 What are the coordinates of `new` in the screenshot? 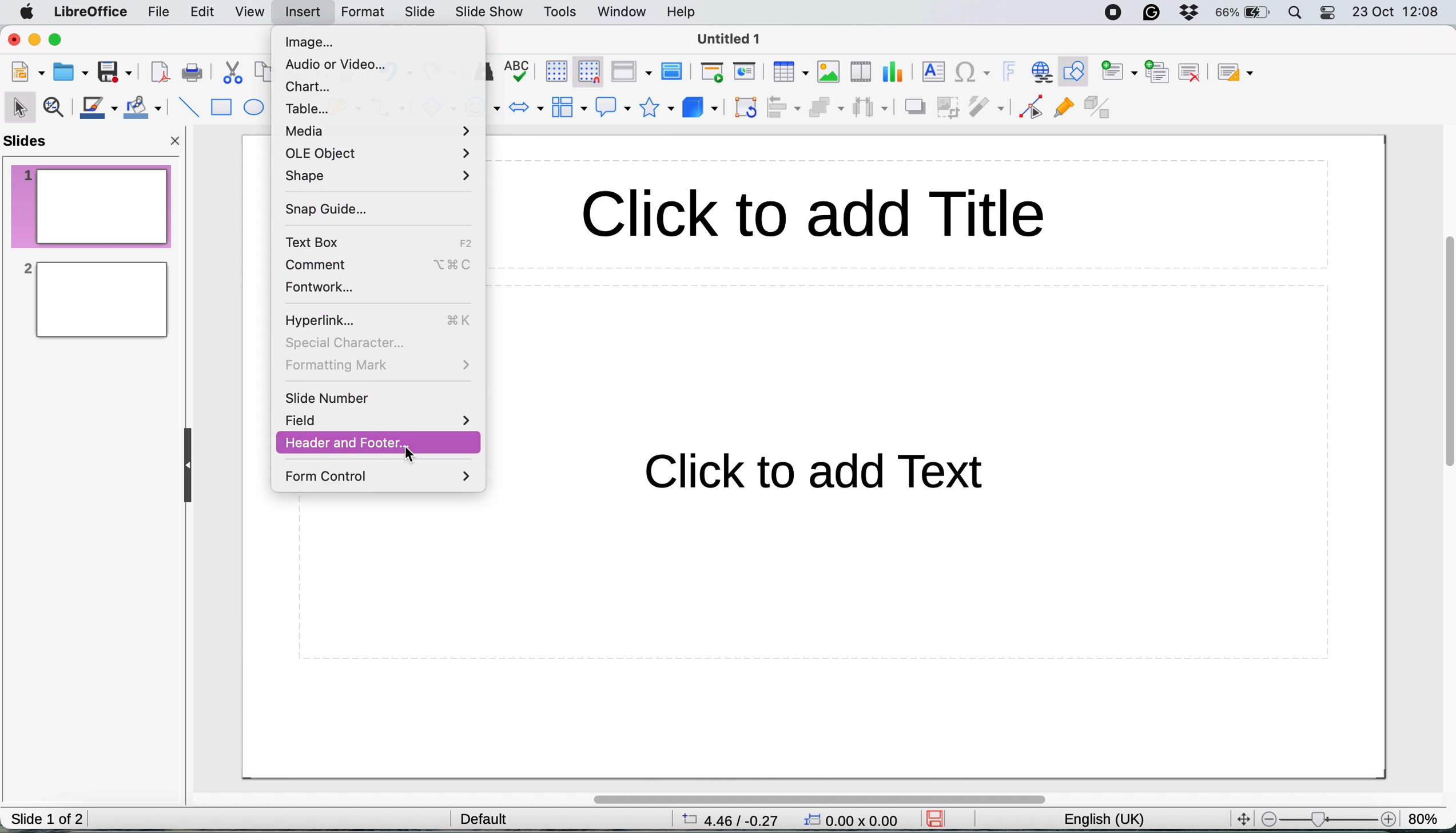 It's located at (29, 73).